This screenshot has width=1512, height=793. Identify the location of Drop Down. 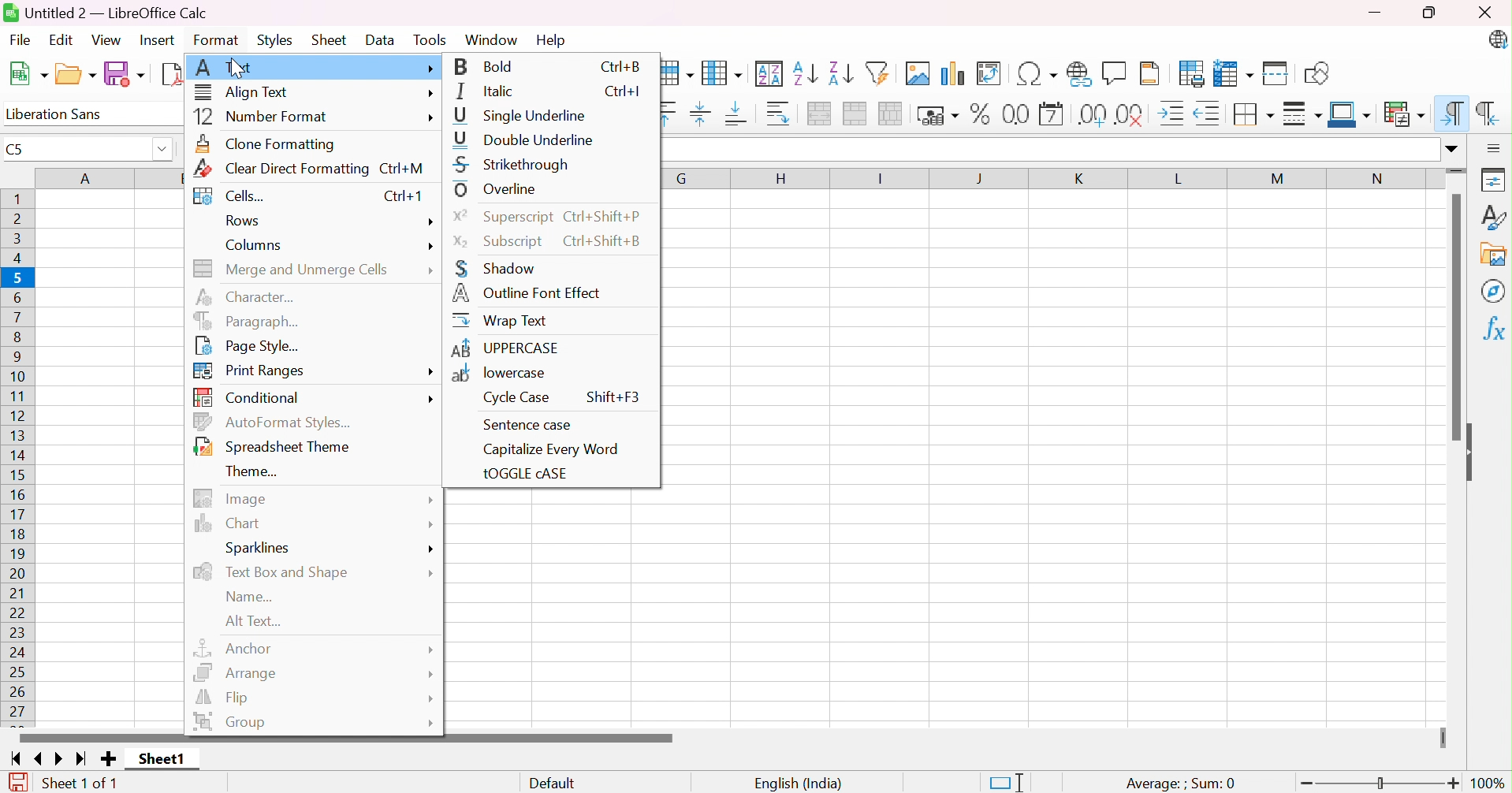
(160, 151).